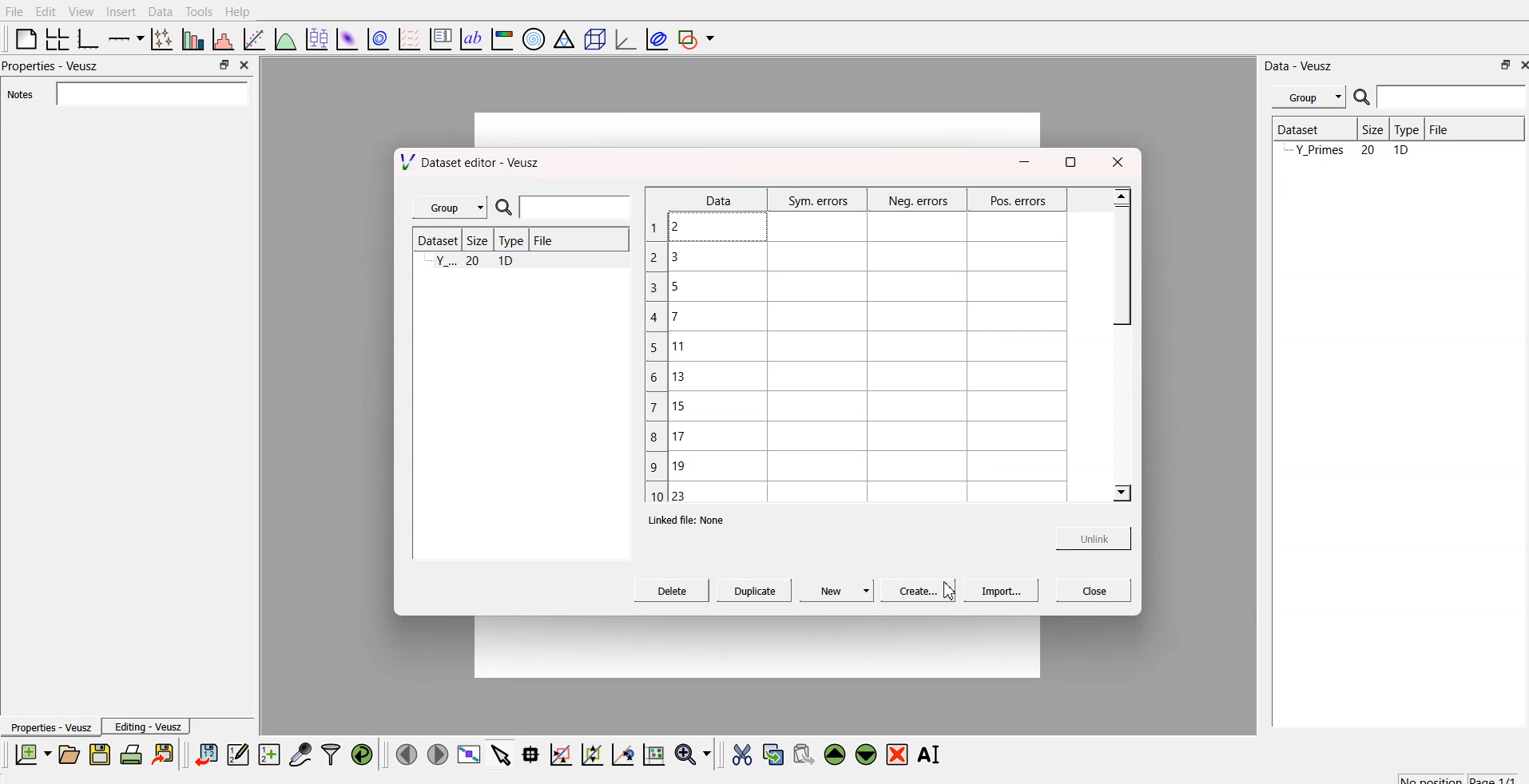  What do you see at coordinates (300, 754) in the screenshot?
I see `capture a dataset` at bounding box center [300, 754].